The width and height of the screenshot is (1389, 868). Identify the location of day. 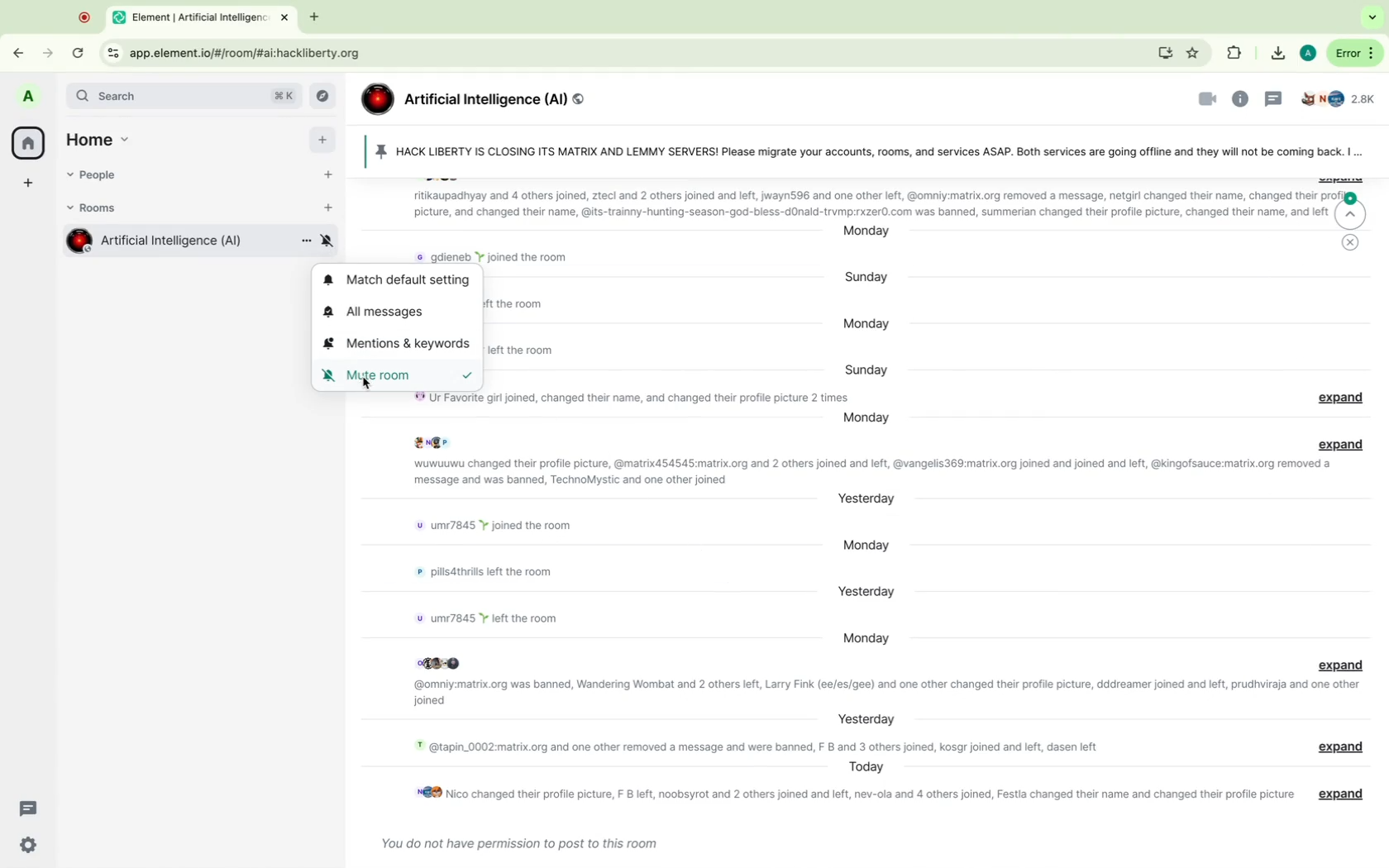
(871, 276).